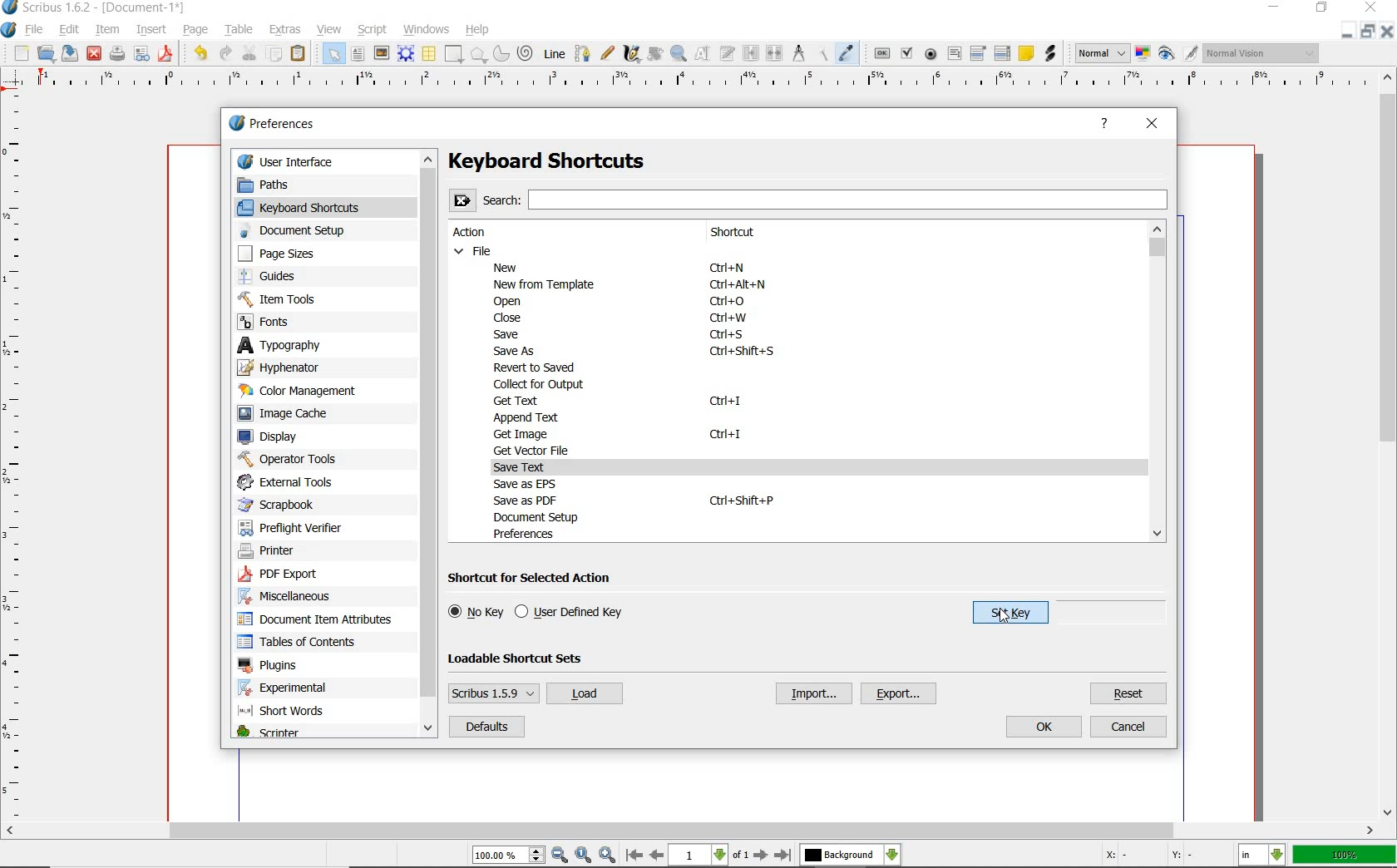 This screenshot has width=1397, height=868. I want to click on table, so click(241, 28).